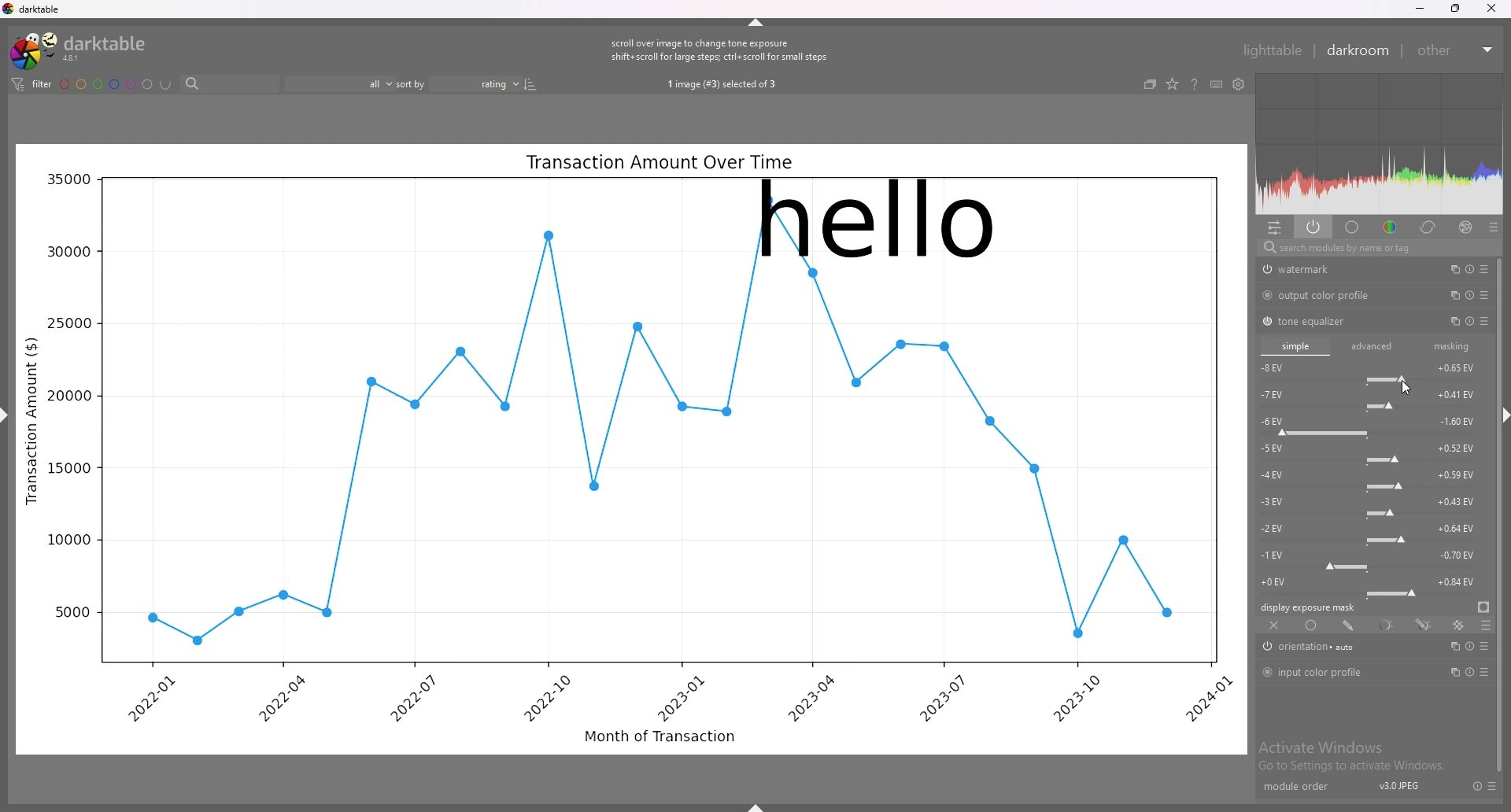 The width and height of the screenshot is (1511, 812). Describe the element at coordinates (1207, 699) in the screenshot. I see `2024-01` at that location.